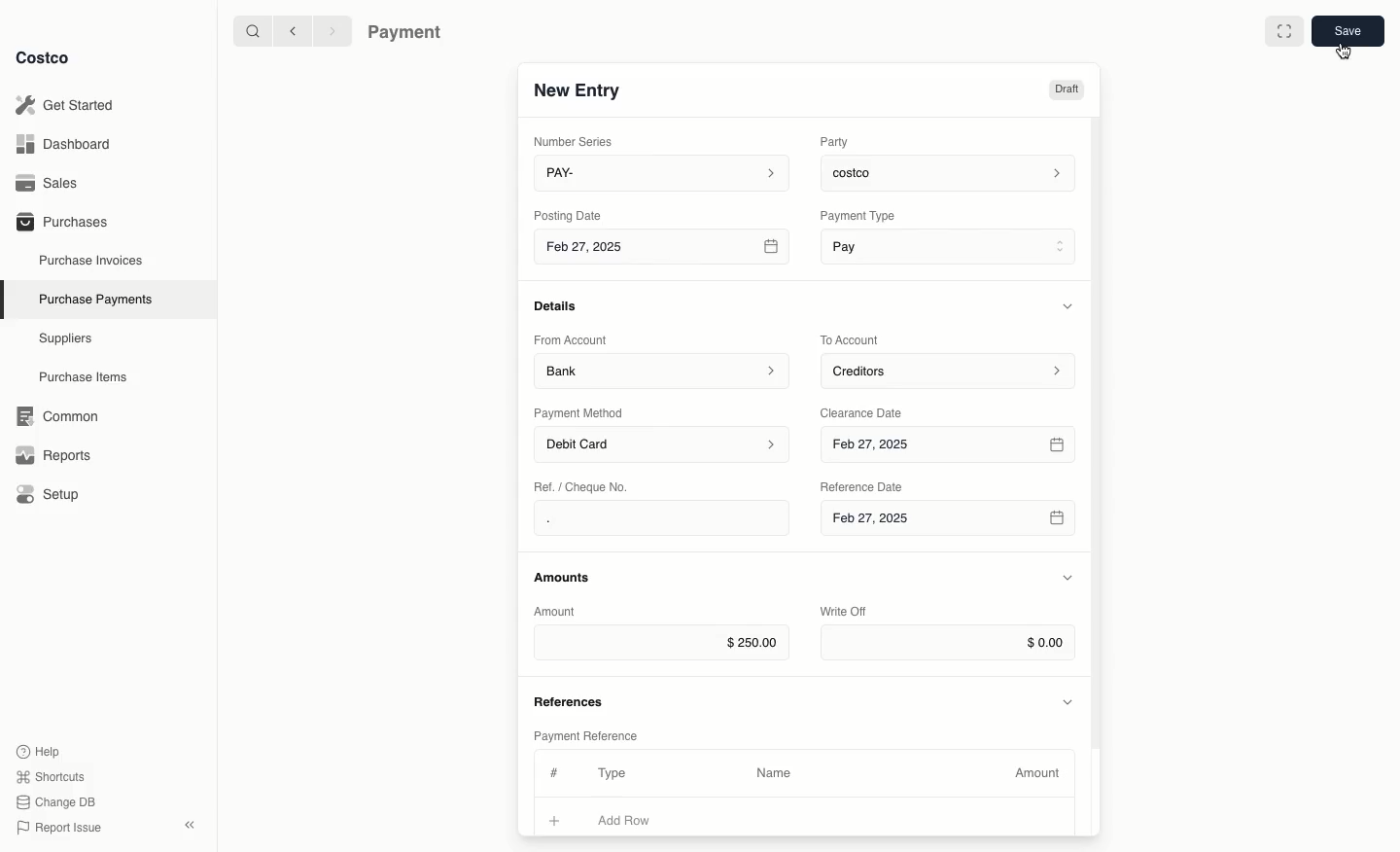  What do you see at coordinates (59, 802) in the screenshot?
I see `Change DB` at bounding box center [59, 802].